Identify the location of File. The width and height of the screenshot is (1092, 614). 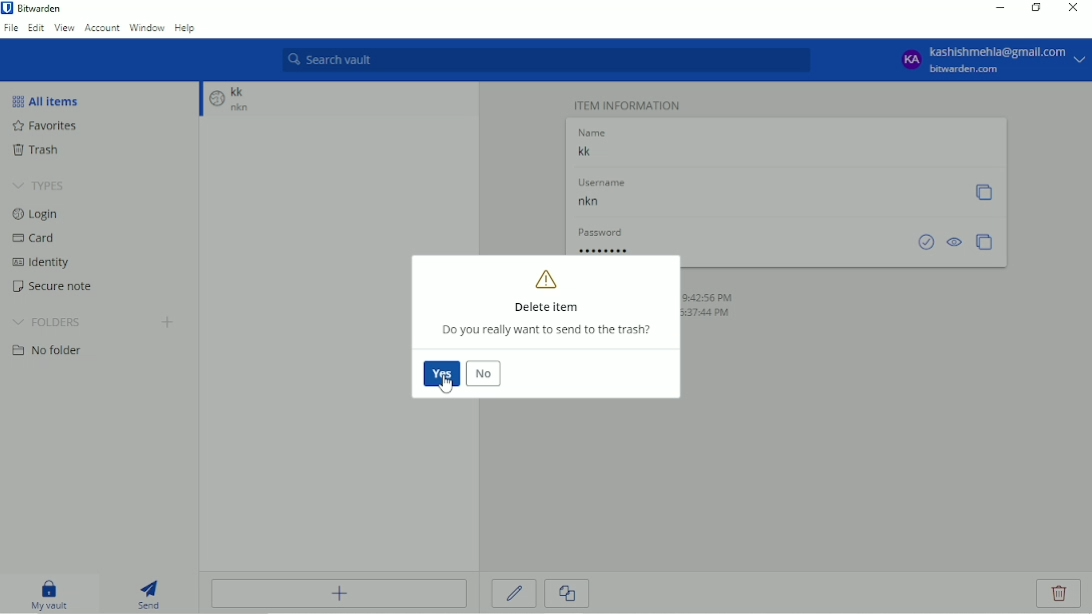
(11, 28).